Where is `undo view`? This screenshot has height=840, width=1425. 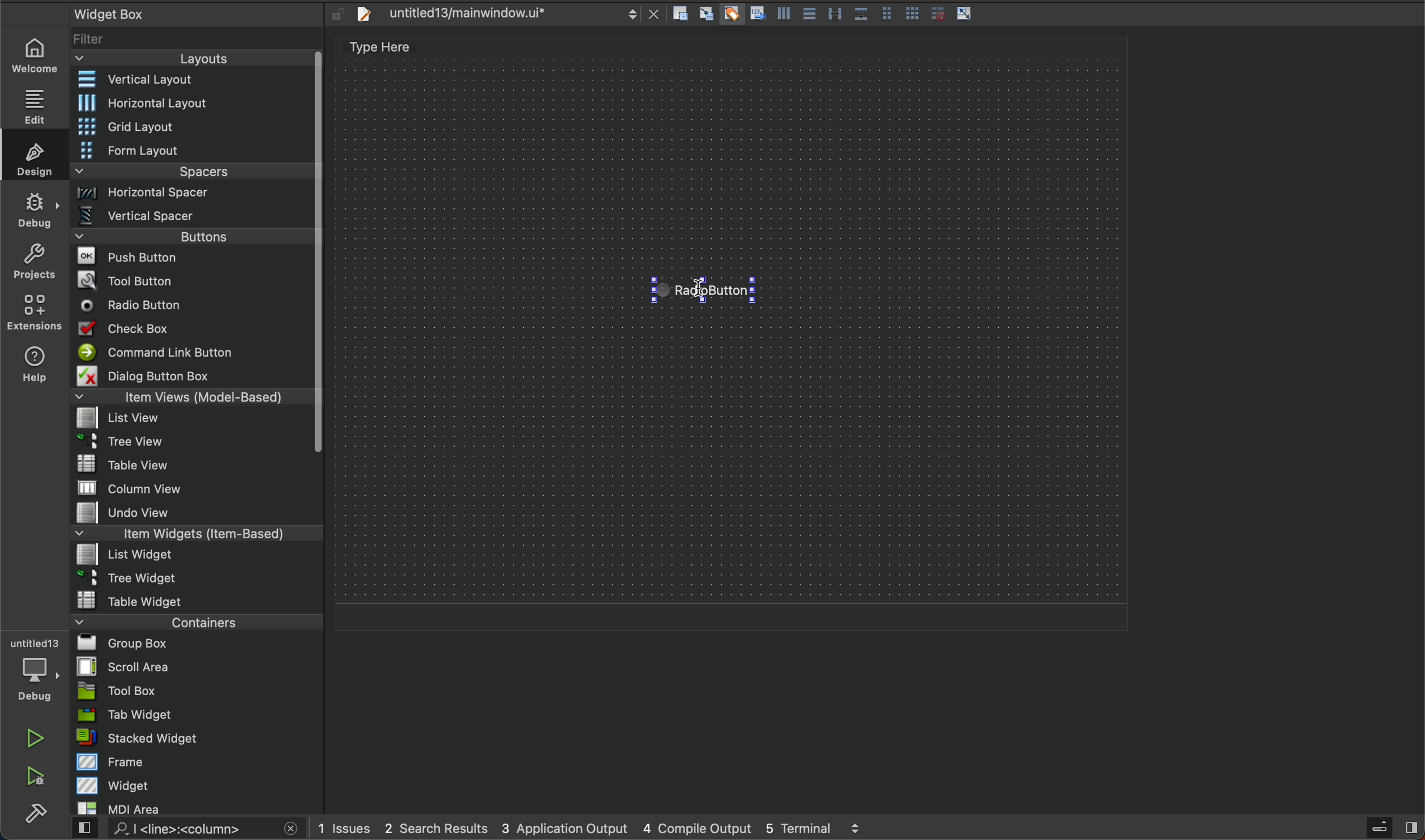
undo view is located at coordinates (197, 512).